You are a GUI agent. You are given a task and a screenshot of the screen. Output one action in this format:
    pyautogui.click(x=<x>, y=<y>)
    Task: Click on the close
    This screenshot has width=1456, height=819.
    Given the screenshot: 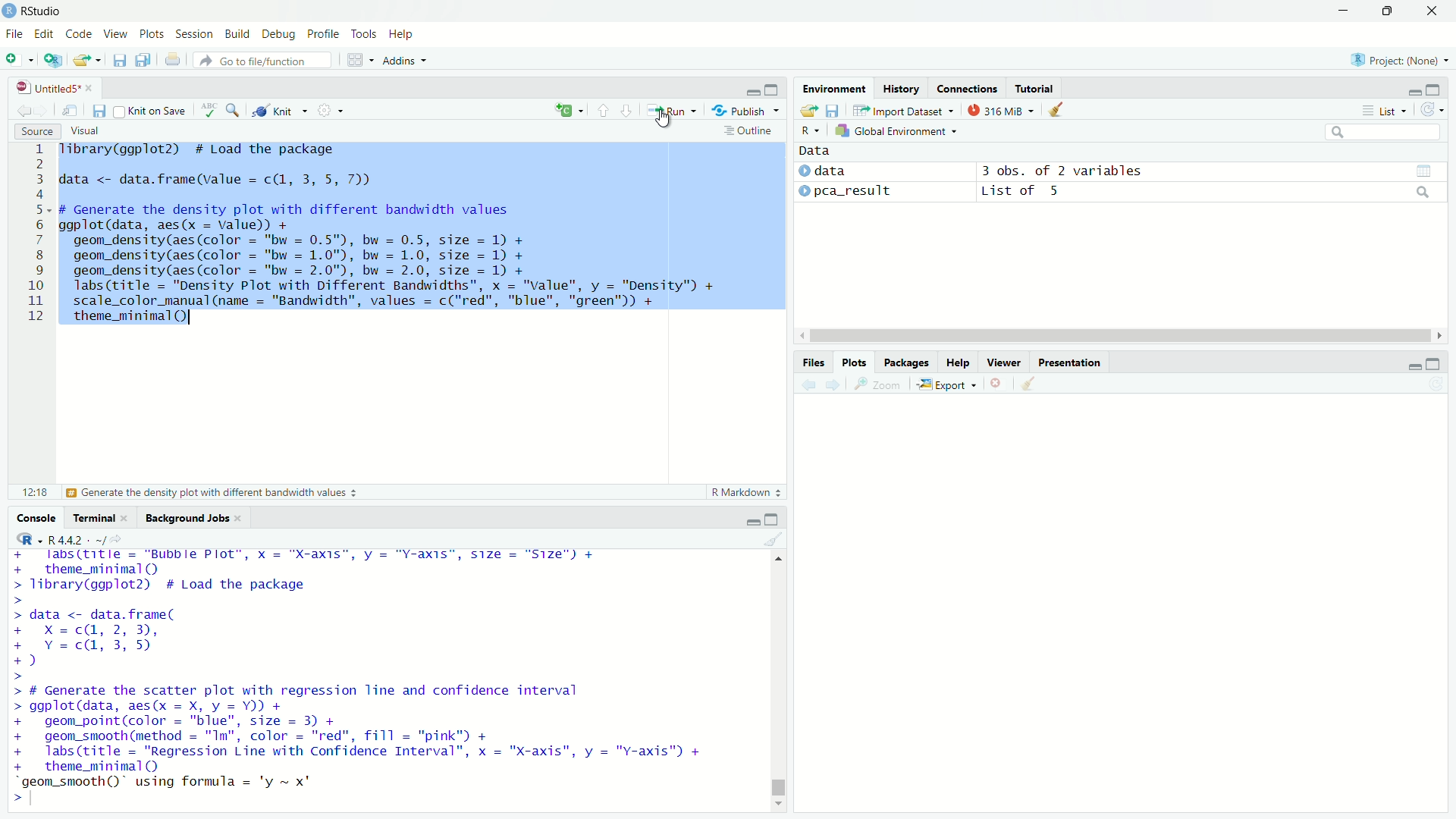 What is the action you would take?
    pyautogui.click(x=89, y=88)
    